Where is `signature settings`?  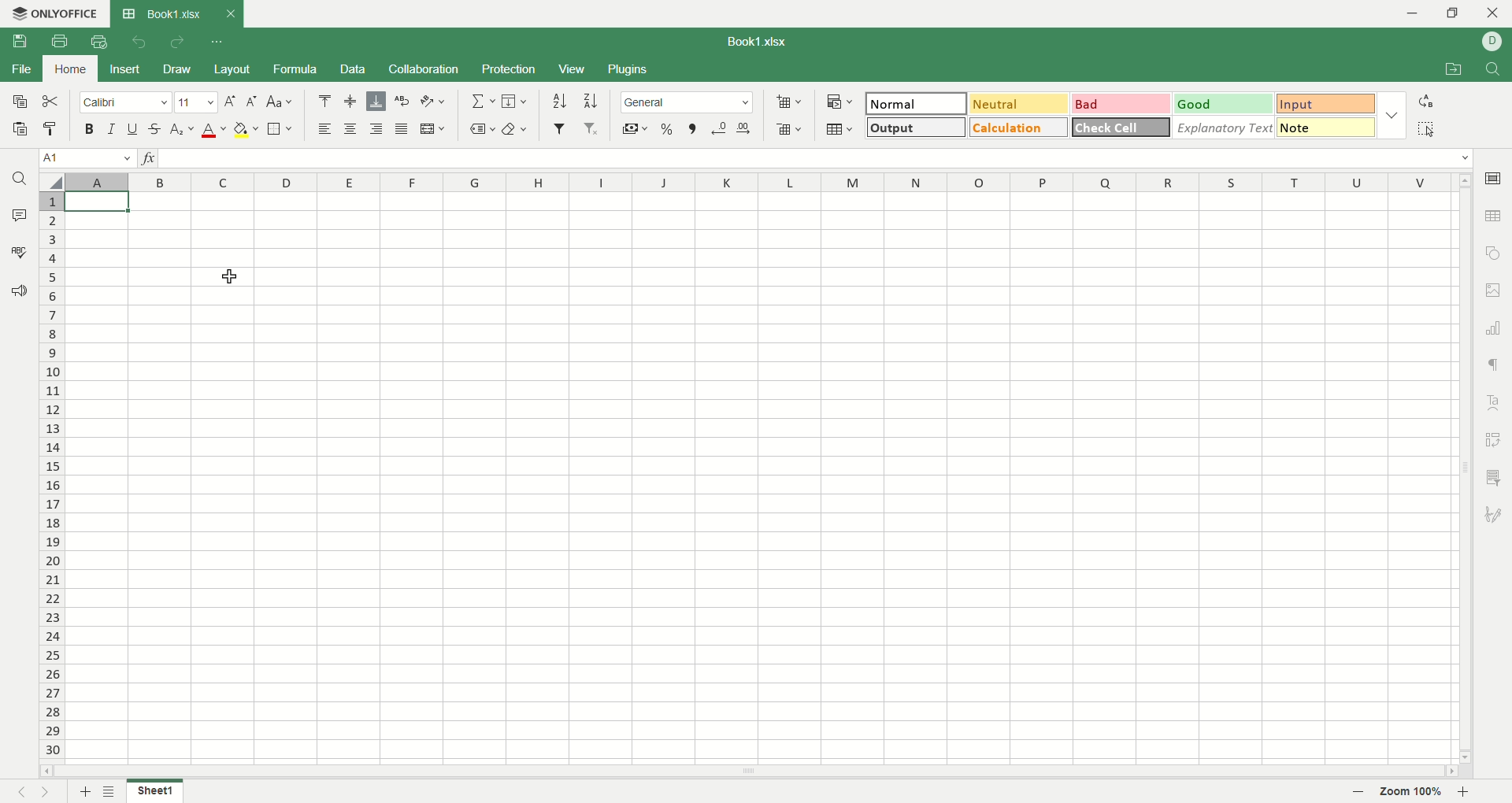 signature settings is located at coordinates (1494, 516).